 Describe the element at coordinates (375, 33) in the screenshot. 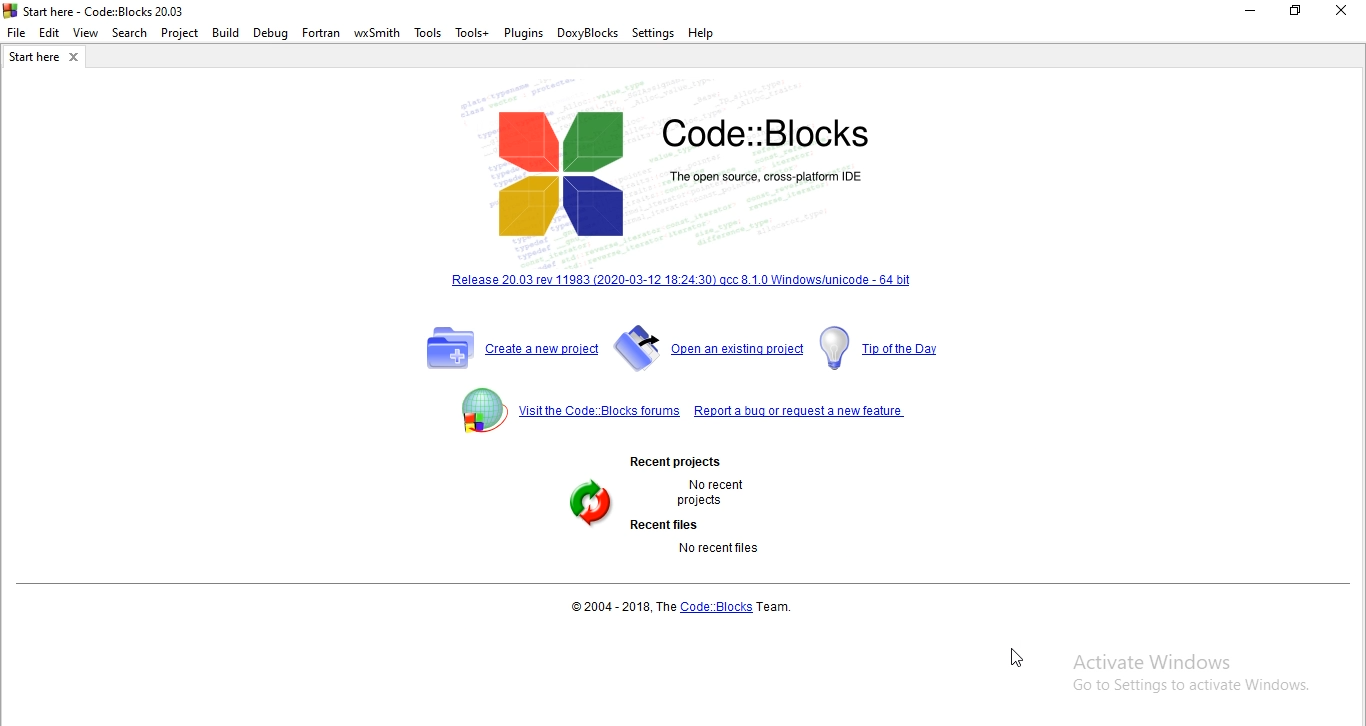

I see `wxSmith` at that location.